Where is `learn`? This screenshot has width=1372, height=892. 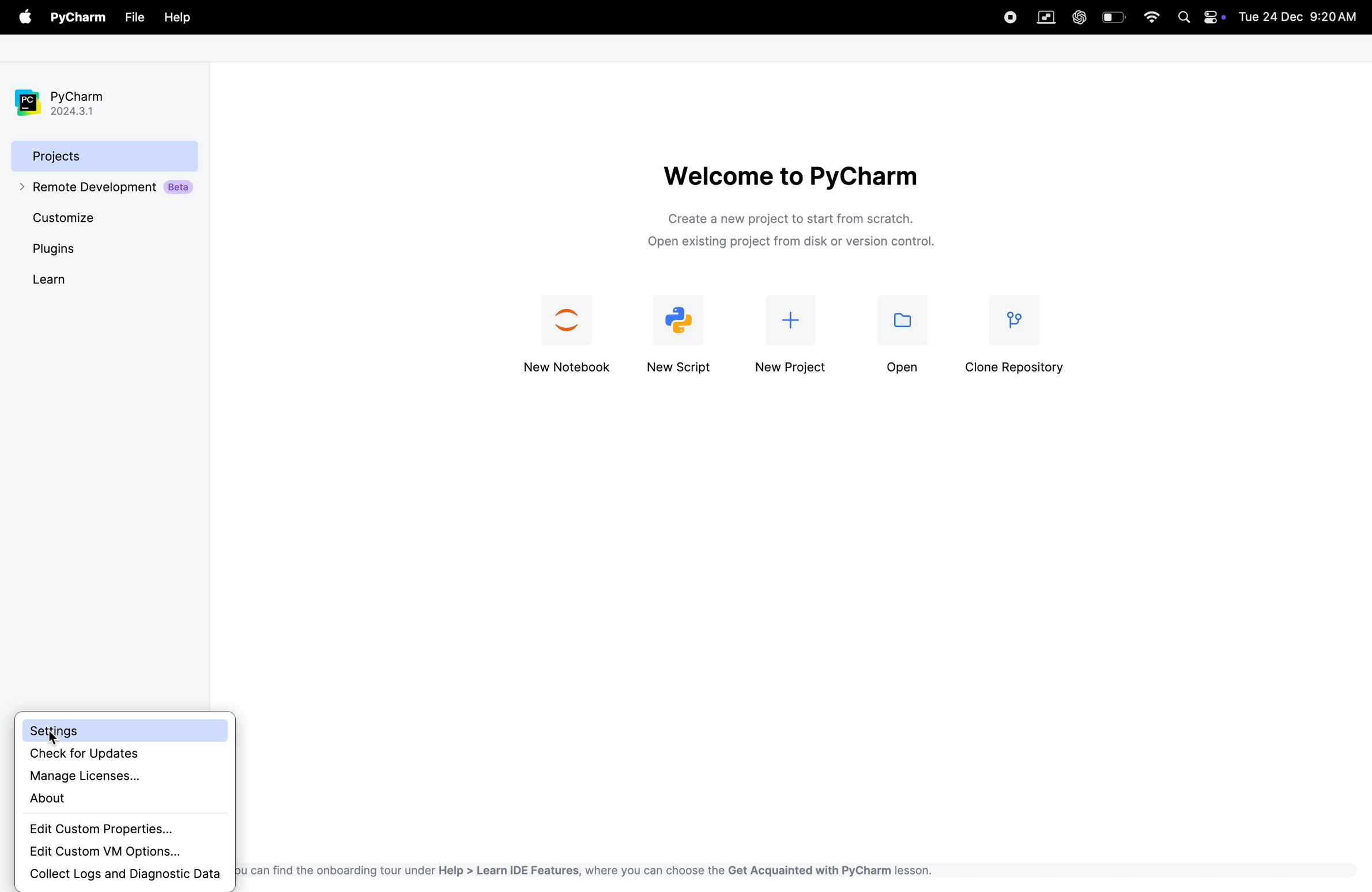 learn is located at coordinates (68, 279).